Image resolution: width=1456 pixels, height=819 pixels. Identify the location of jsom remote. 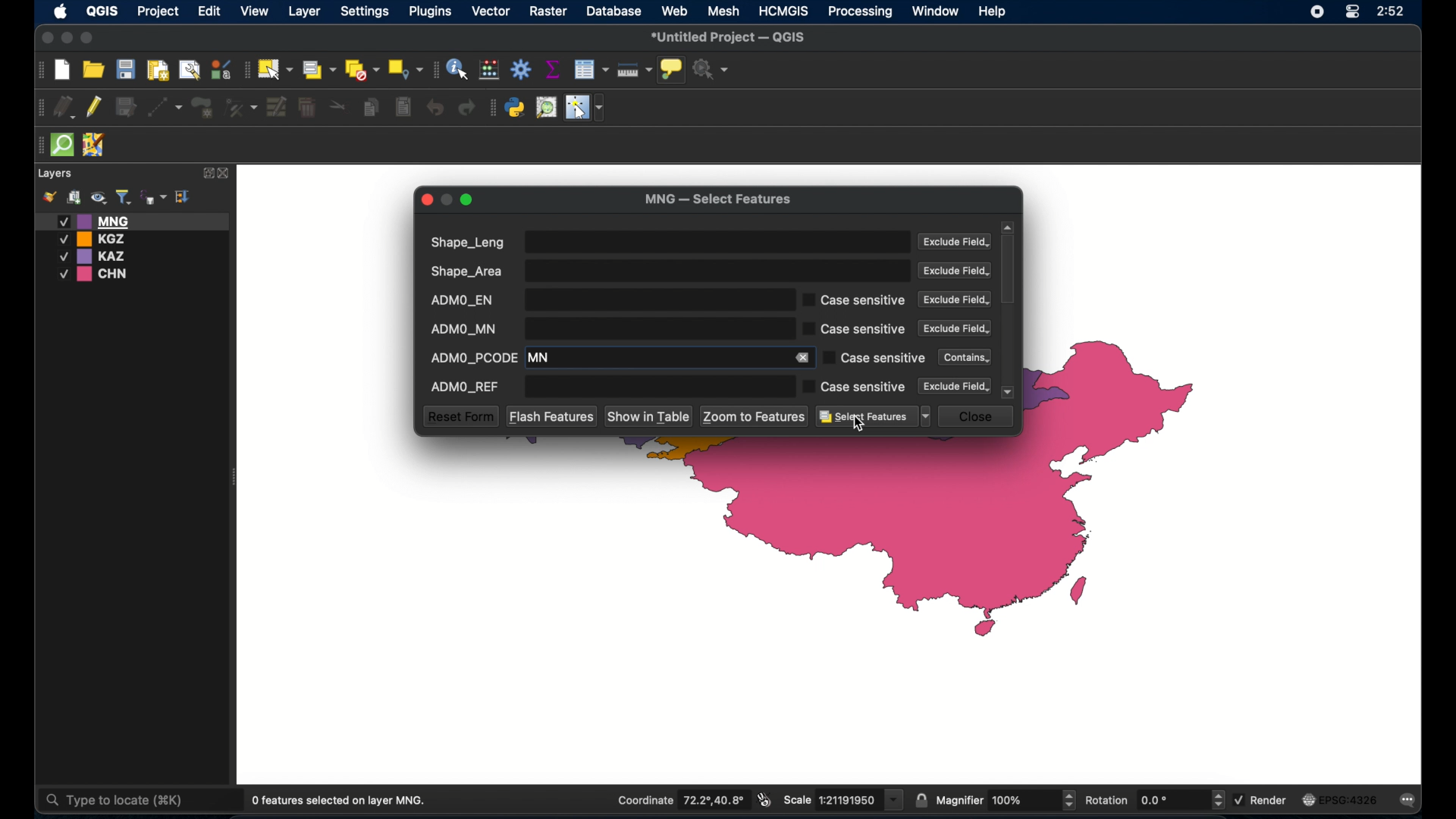
(96, 146).